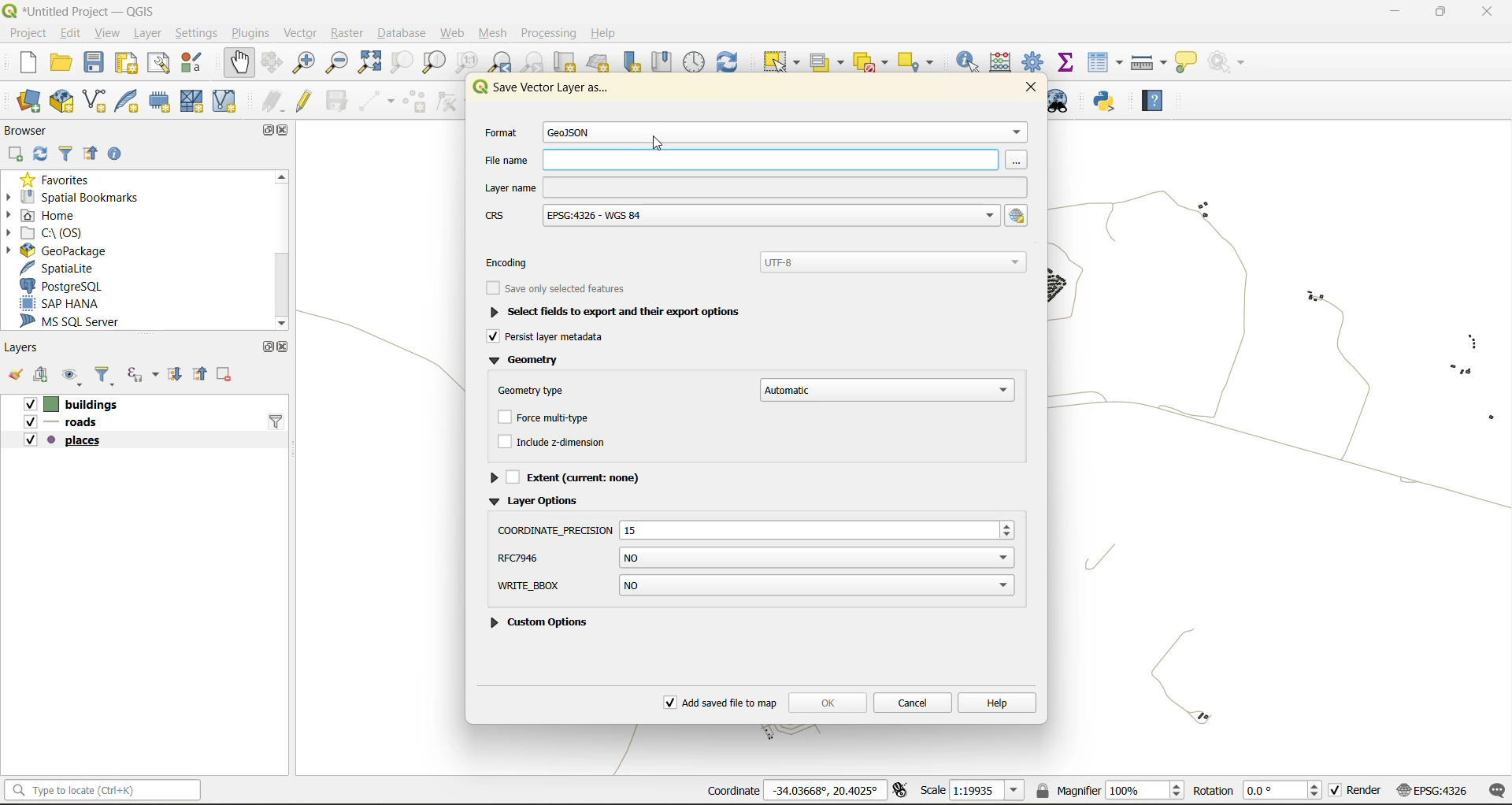 The image size is (1512, 805). What do you see at coordinates (31, 128) in the screenshot?
I see `browser` at bounding box center [31, 128].